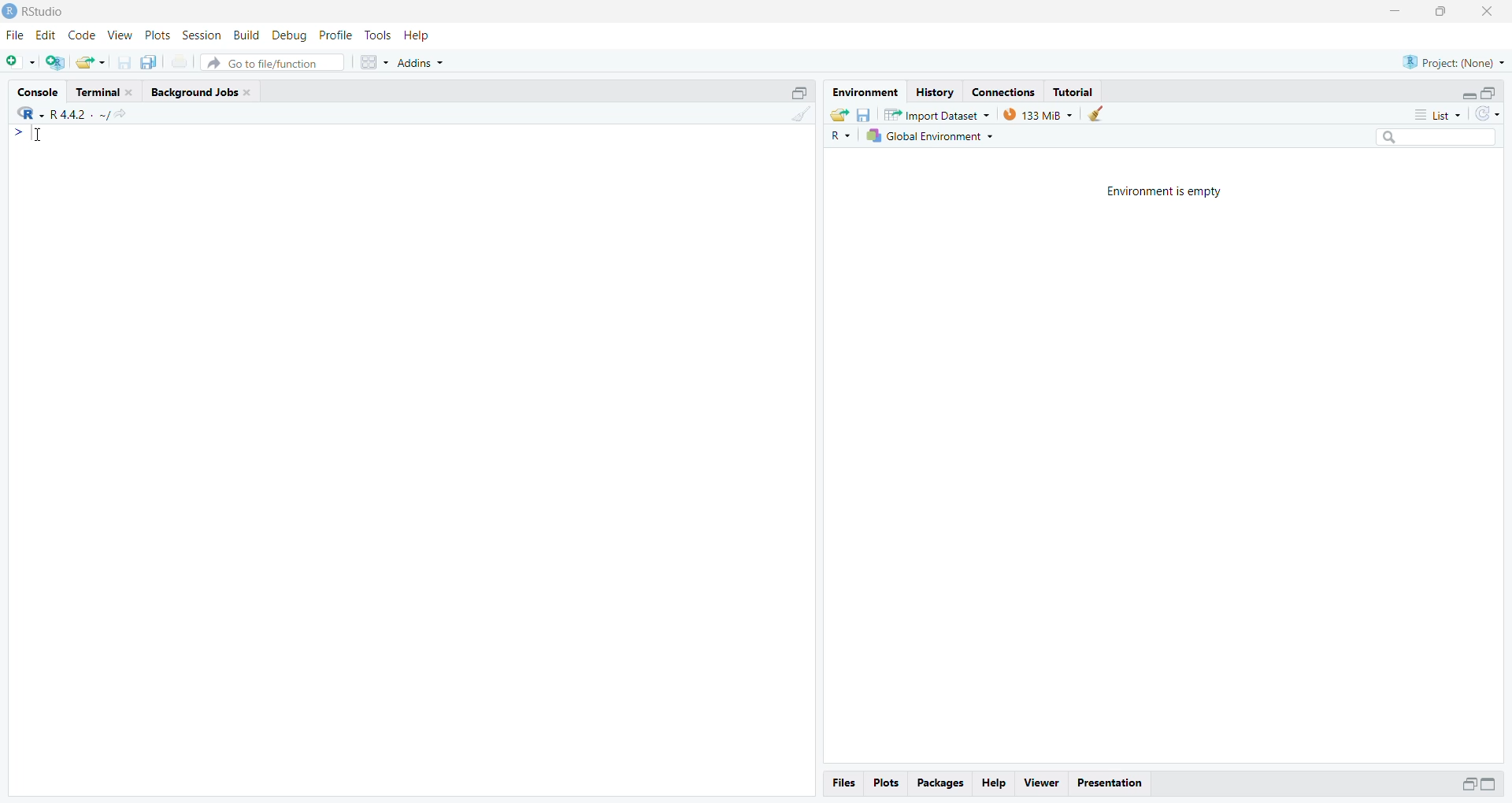  Describe the element at coordinates (888, 783) in the screenshot. I see `Plots` at that location.